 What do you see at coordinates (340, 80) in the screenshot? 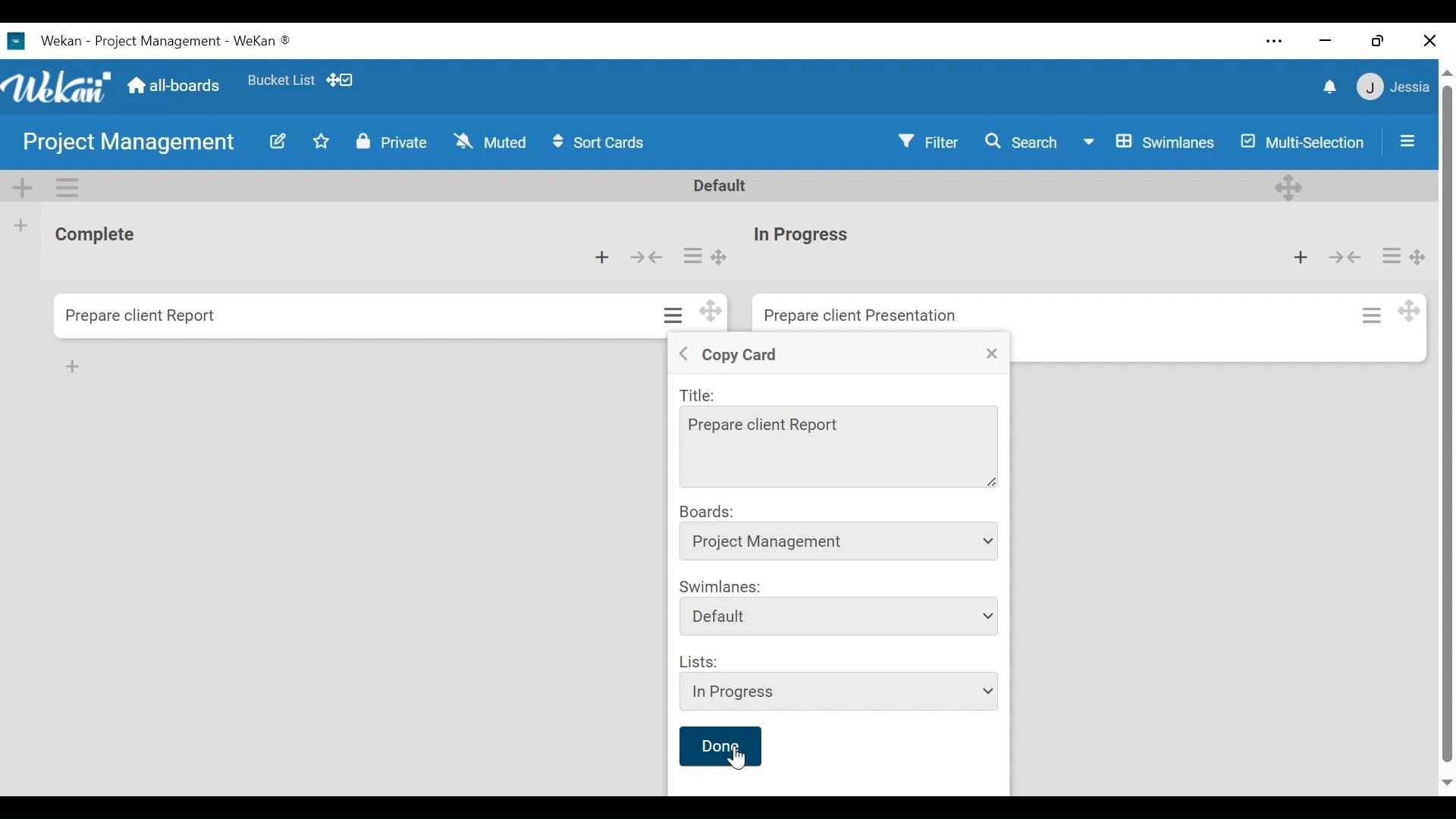
I see `Desktop drag handles` at bounding box center [340, 80].